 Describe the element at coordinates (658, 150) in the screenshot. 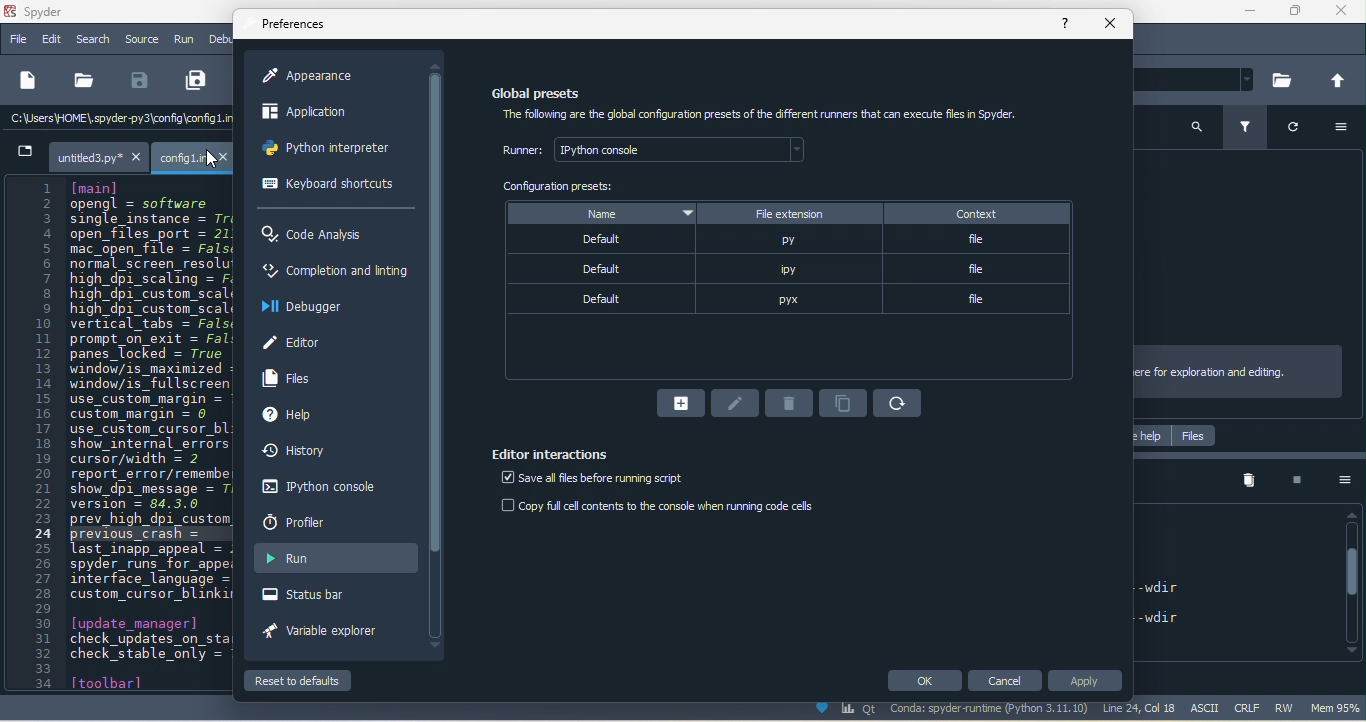

I see `runner` at that location.